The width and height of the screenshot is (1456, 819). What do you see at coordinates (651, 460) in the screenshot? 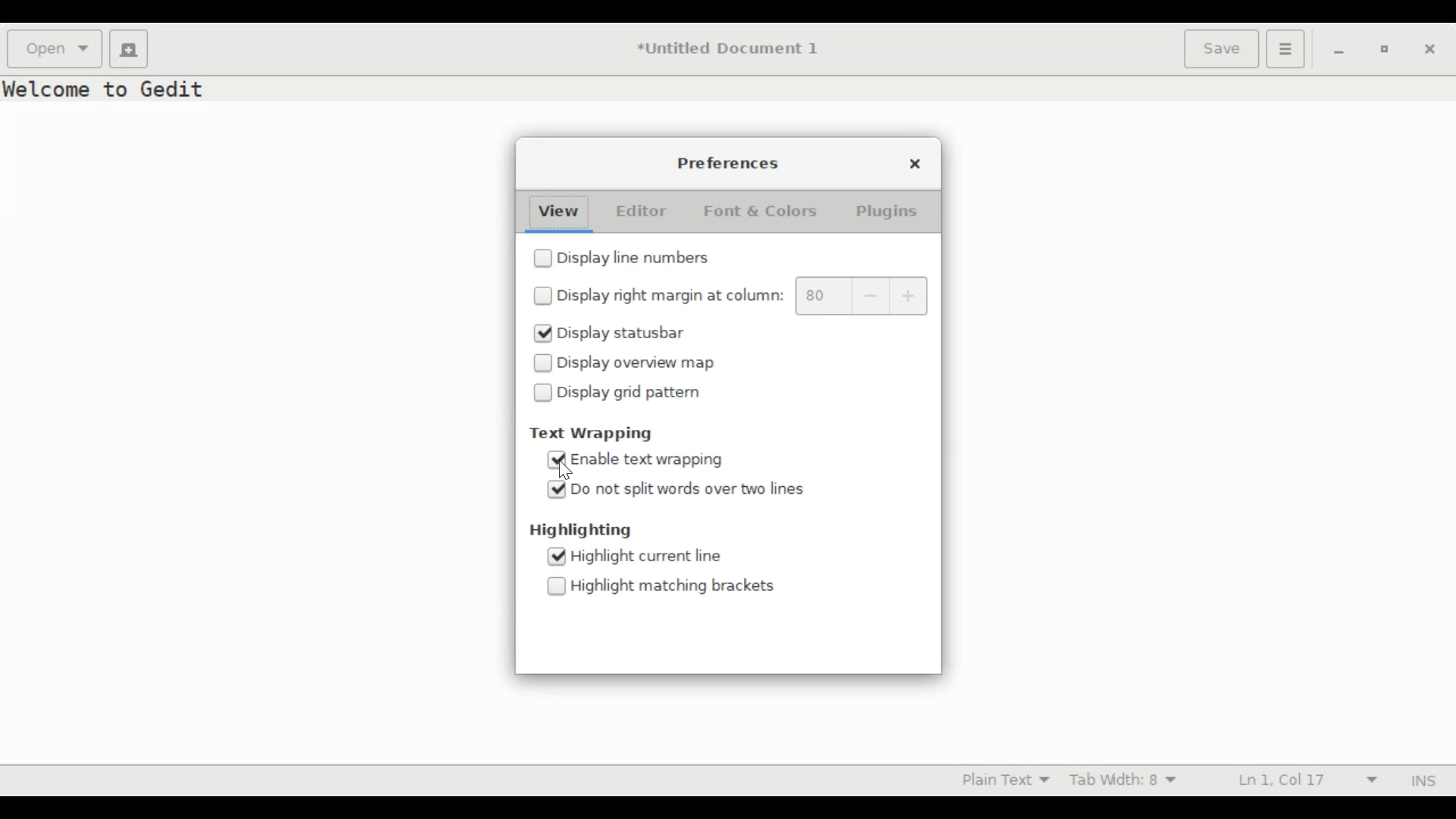
I see `Enable text wrapping` at bounding box center [651, 460].